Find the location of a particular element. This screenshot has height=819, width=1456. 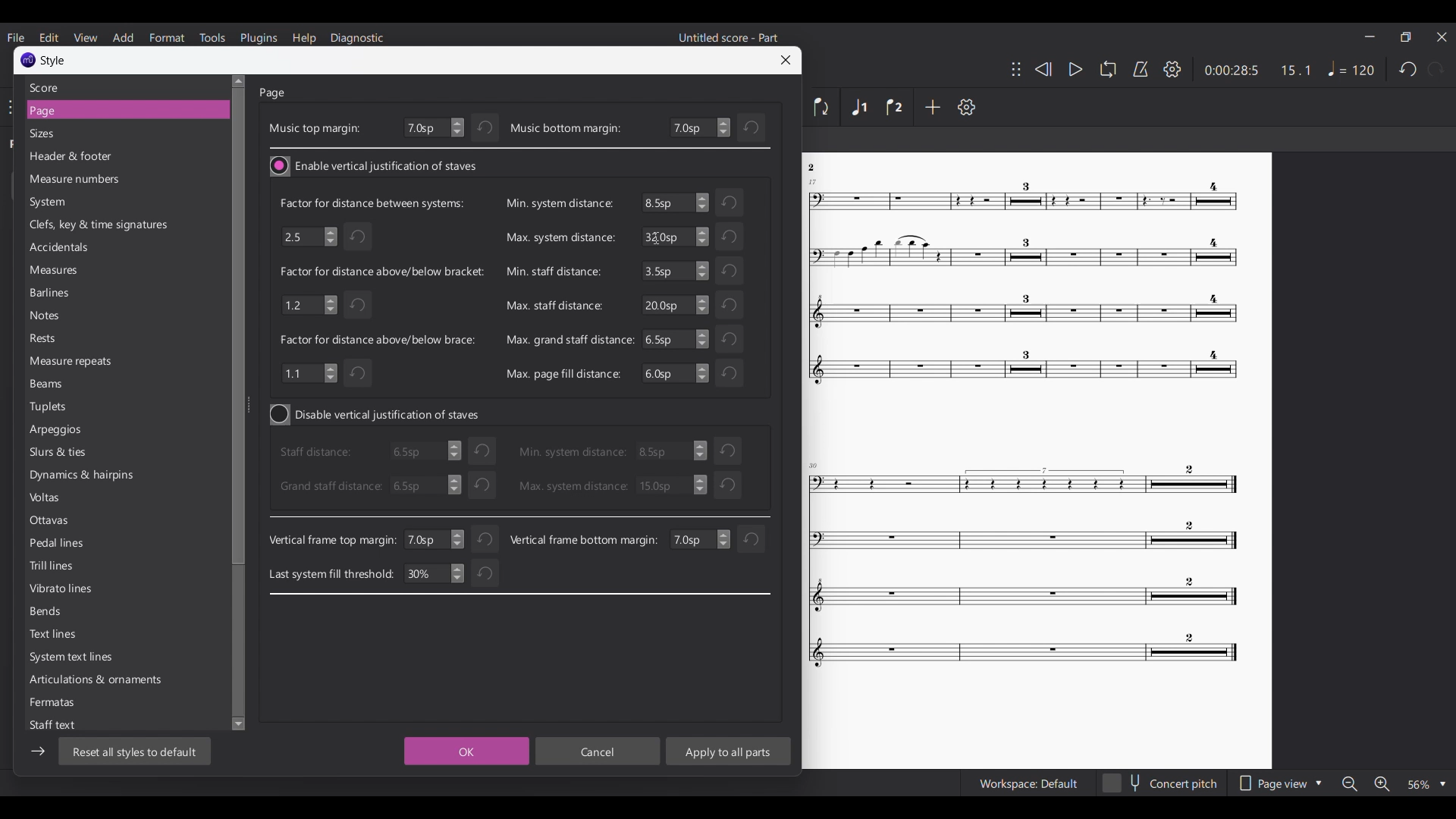

Accidentals is located at coordinates (108, 249).